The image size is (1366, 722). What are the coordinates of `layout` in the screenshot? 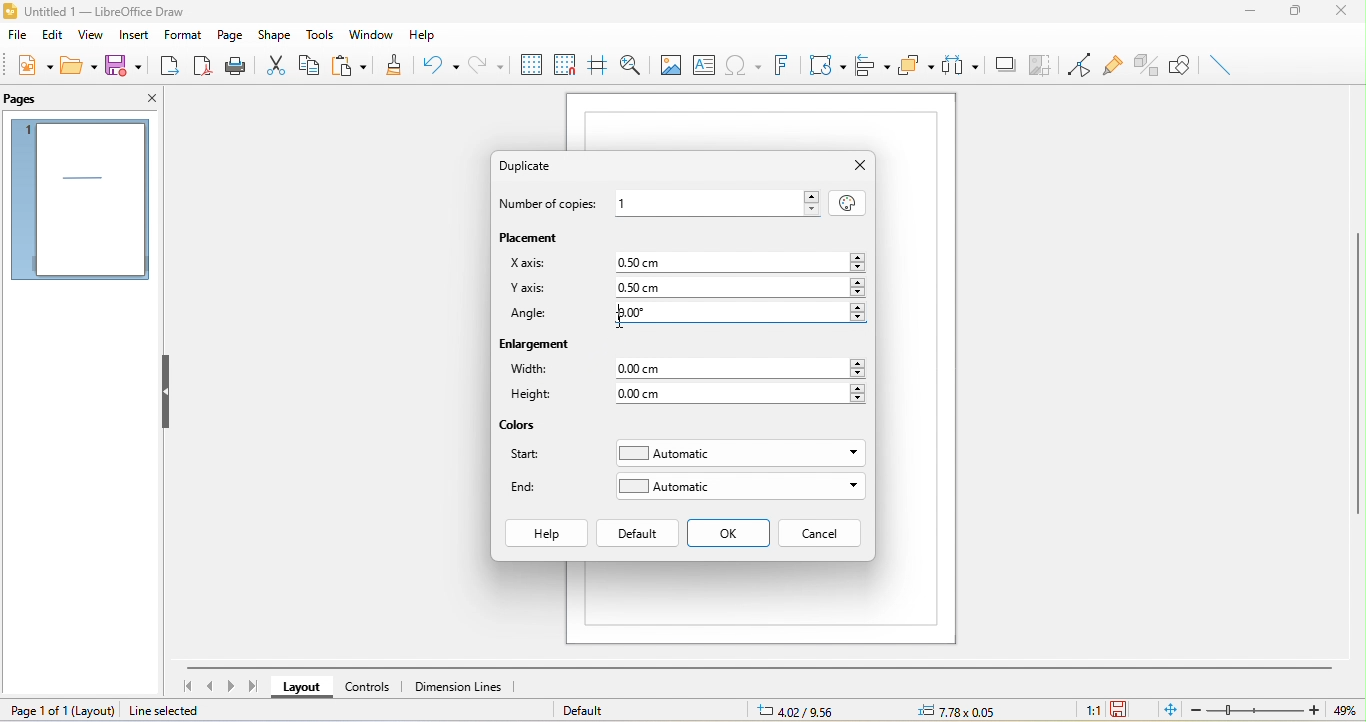 It's located at (298, 688).